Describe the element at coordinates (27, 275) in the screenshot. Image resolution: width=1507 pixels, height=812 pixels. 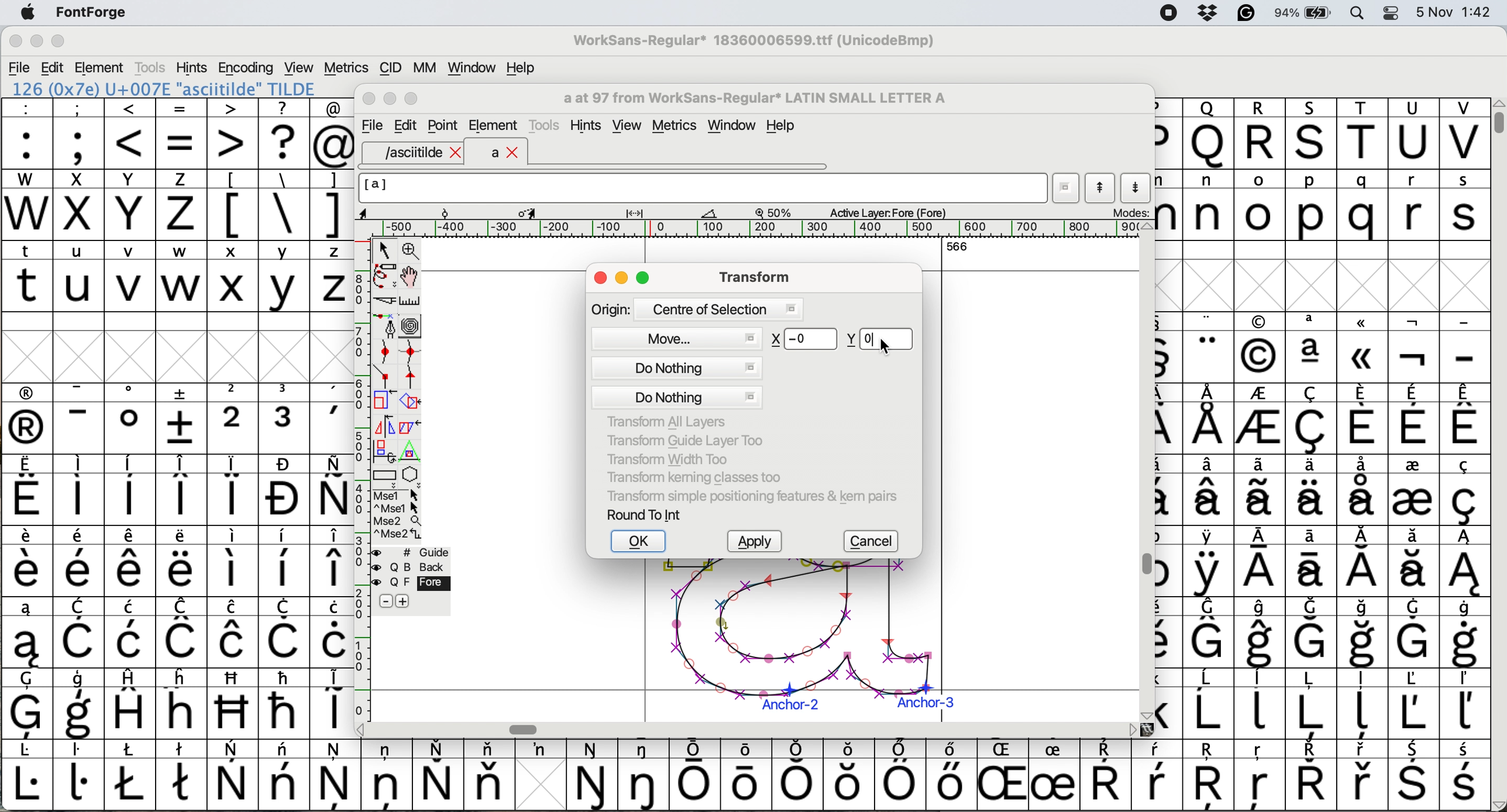
I see `t` at that location.